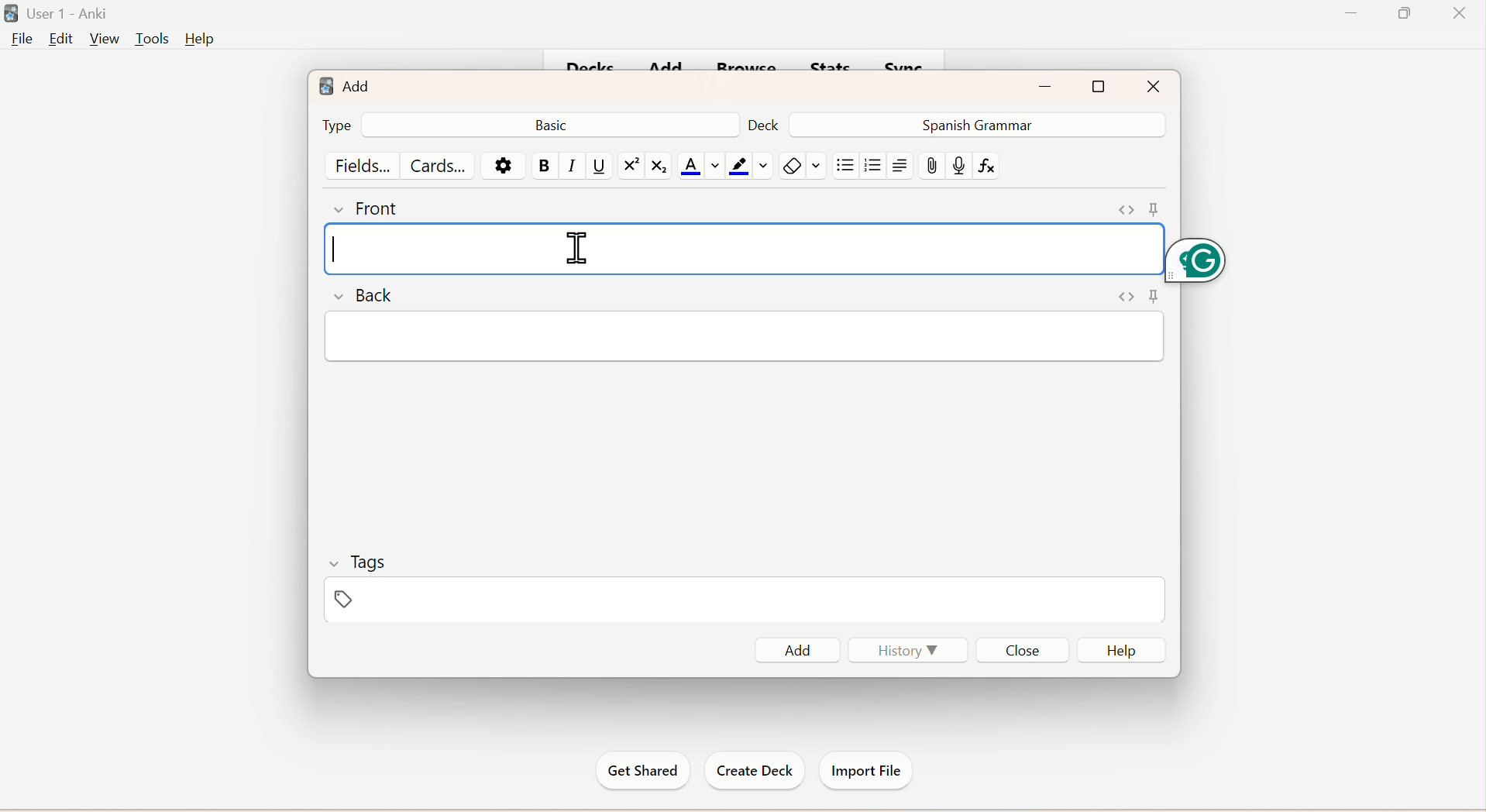 The width and height of the screenshot is (1486, 812). What do you see at coordinates (22, 43) in the screenshot?
I see `` at bounding box center [22, 43].